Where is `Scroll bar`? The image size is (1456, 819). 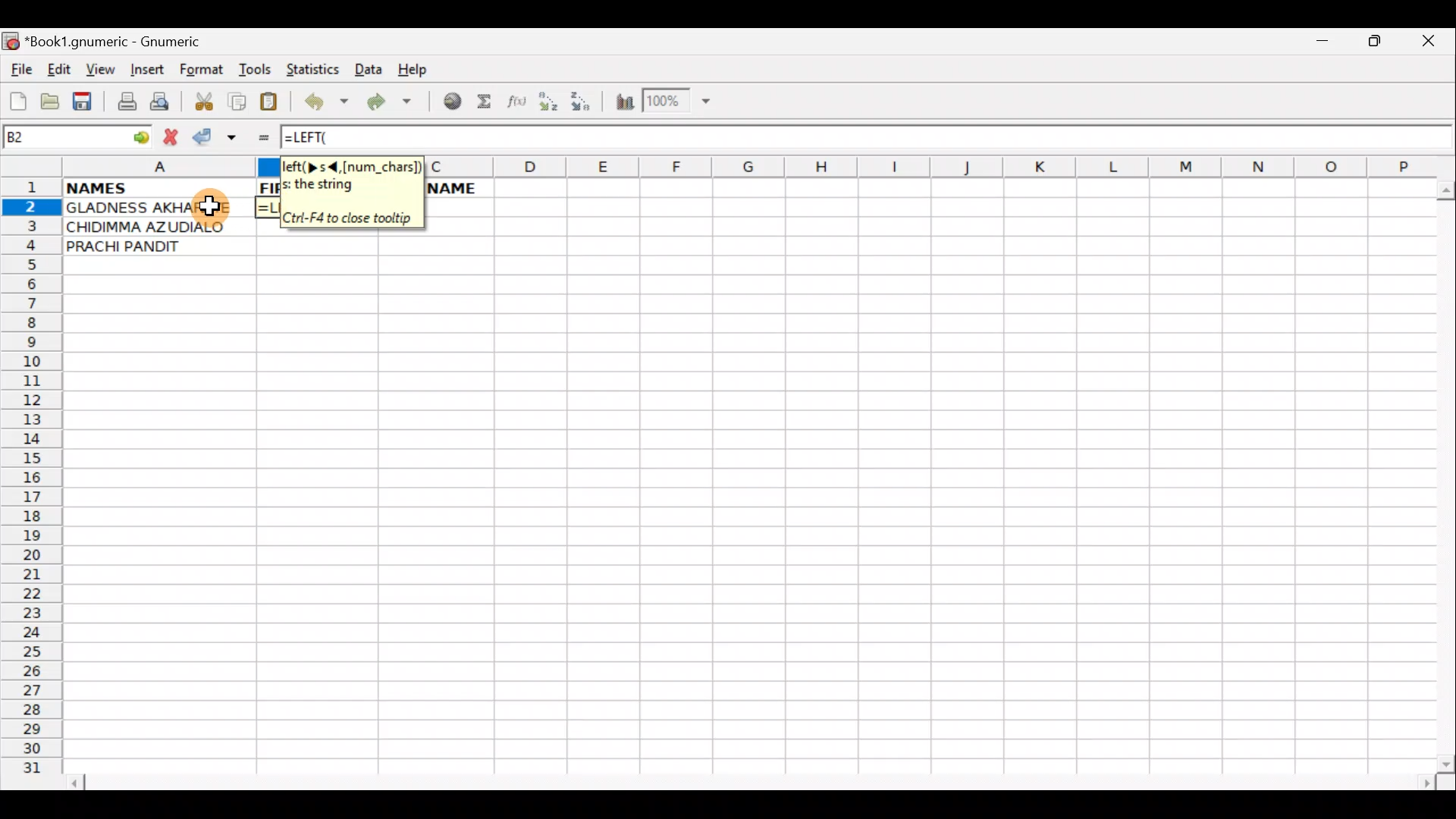
Scroll bar is located at coordinates (1442, 473).